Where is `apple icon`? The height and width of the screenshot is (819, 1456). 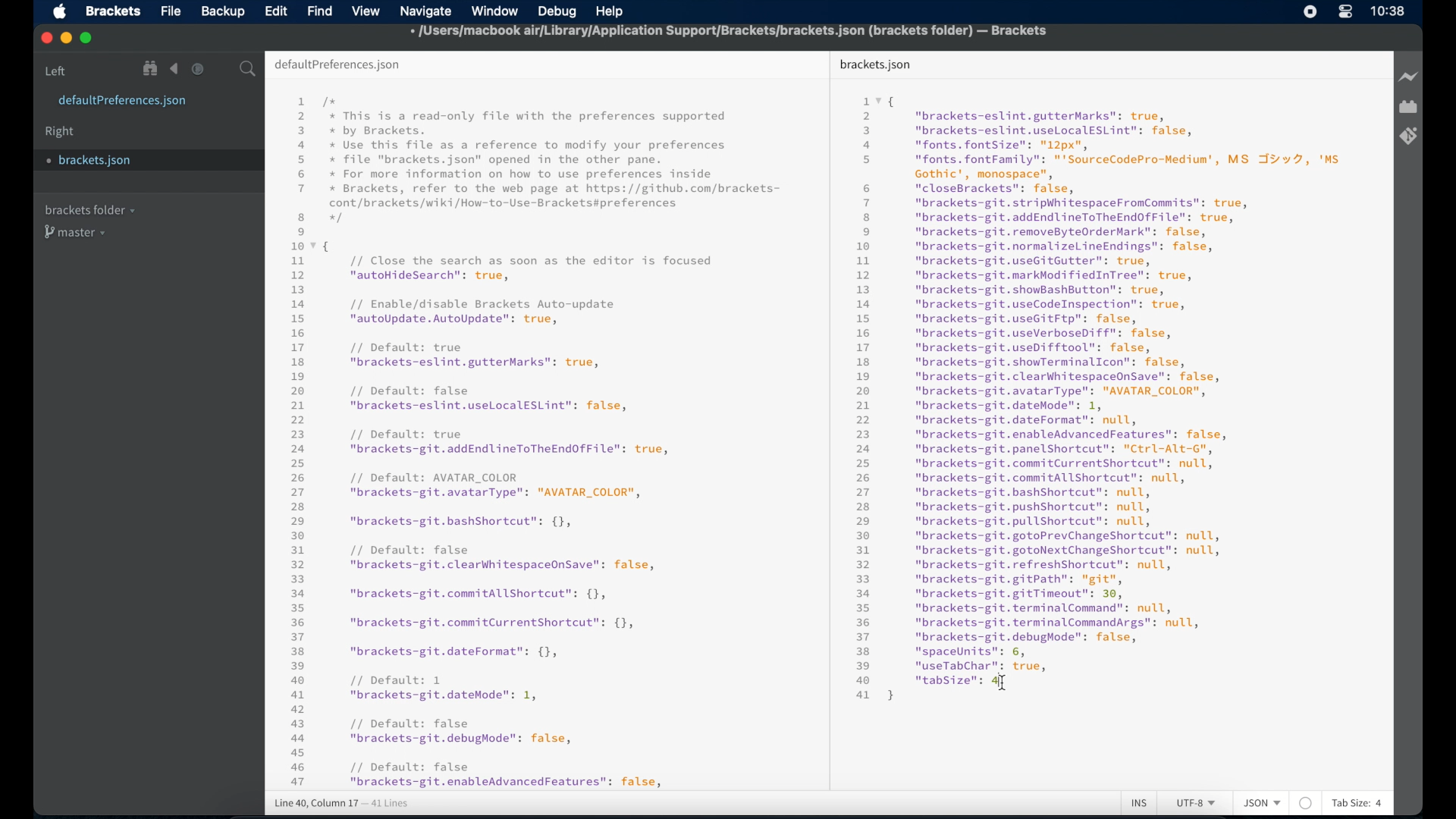
apple icon is located at coordinates (61, 12).